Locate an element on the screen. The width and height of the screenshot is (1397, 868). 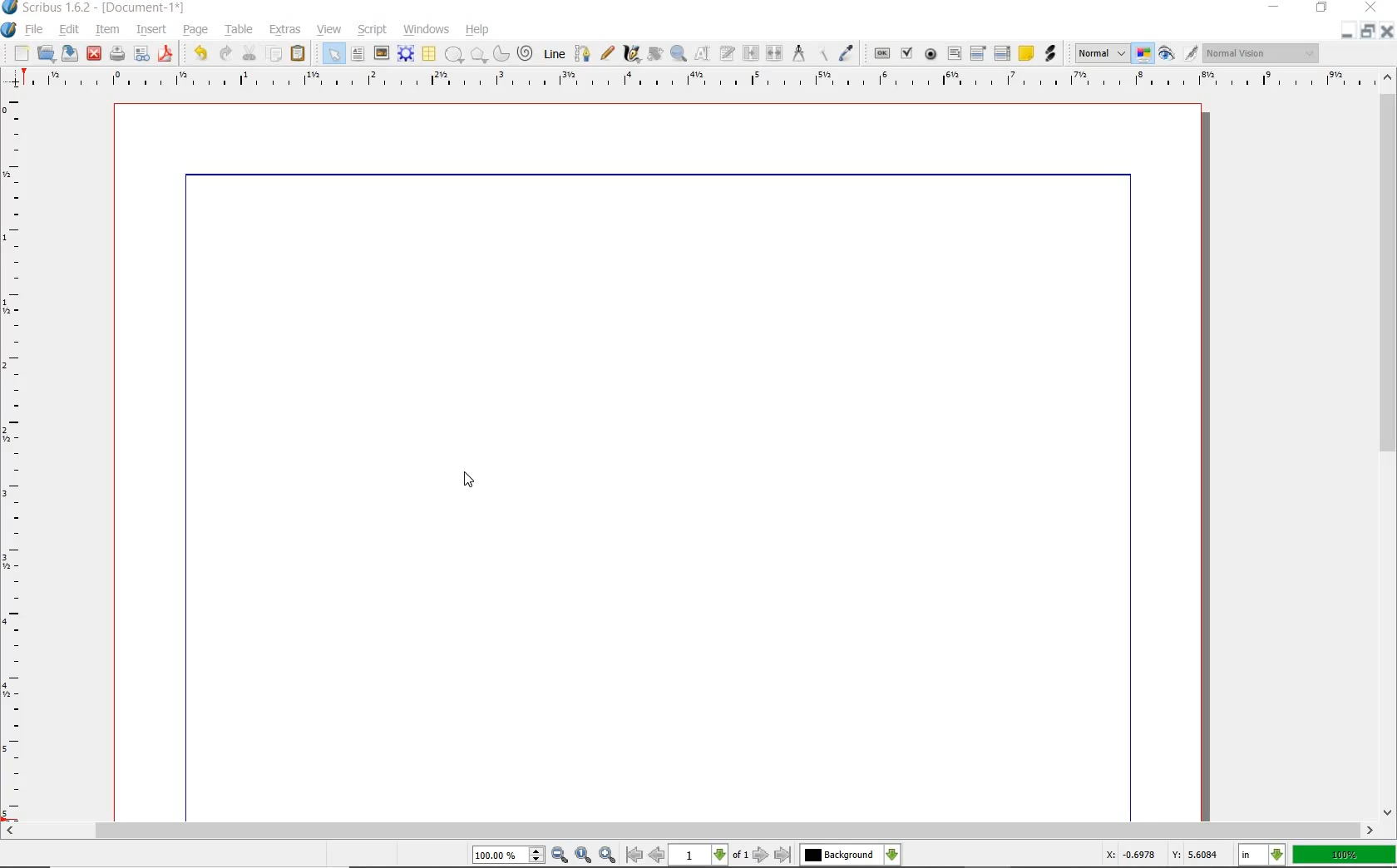
ARC is located at coordinates (500, 55).